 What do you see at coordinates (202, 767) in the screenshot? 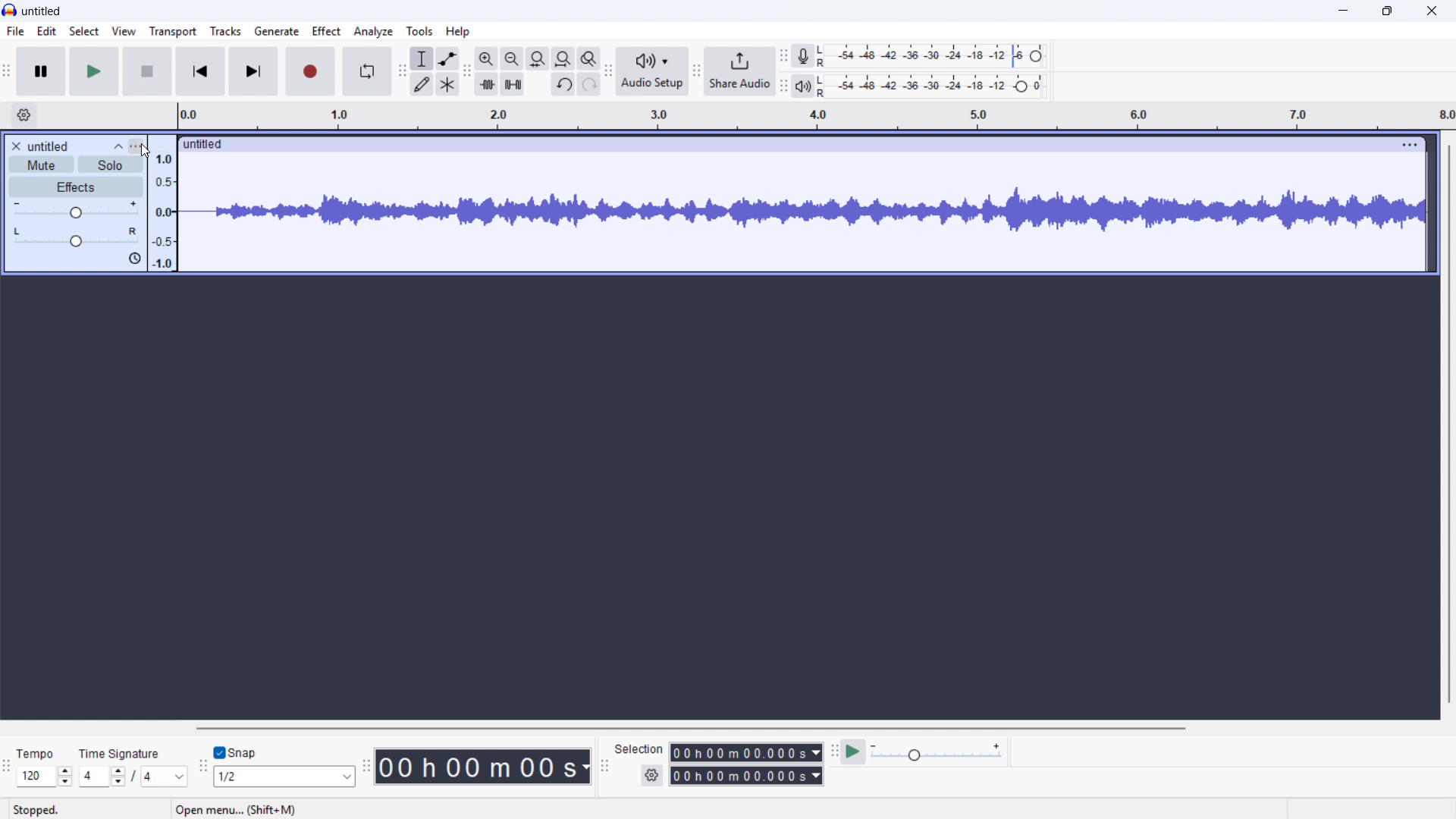
I see `Snapping toolbar ` at bounding box center [202, 767].